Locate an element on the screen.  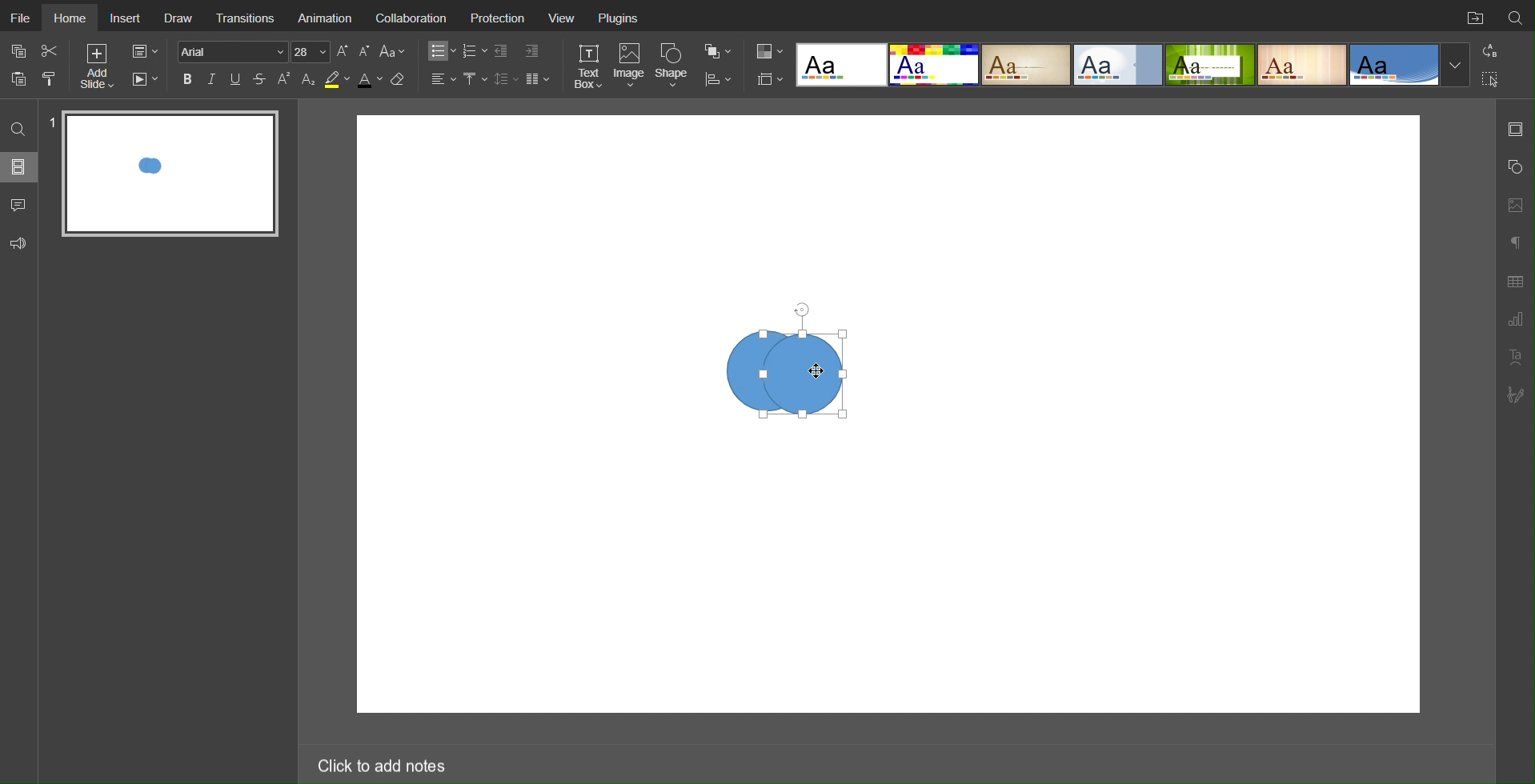
Superscript is located at coordinates (285, 79).